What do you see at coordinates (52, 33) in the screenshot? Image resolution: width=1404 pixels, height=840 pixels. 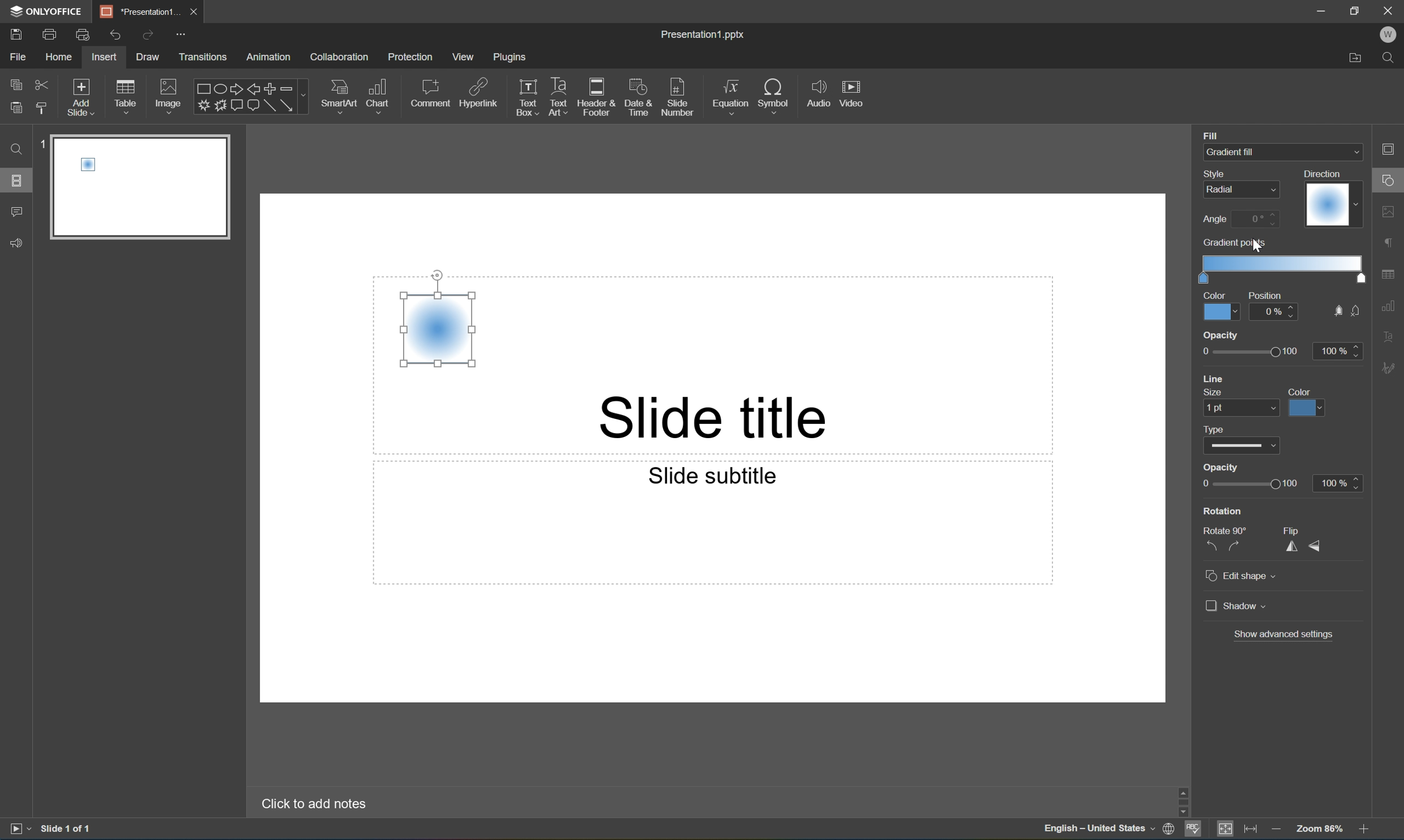 I see `Print file` at bounding box center [52, 33].